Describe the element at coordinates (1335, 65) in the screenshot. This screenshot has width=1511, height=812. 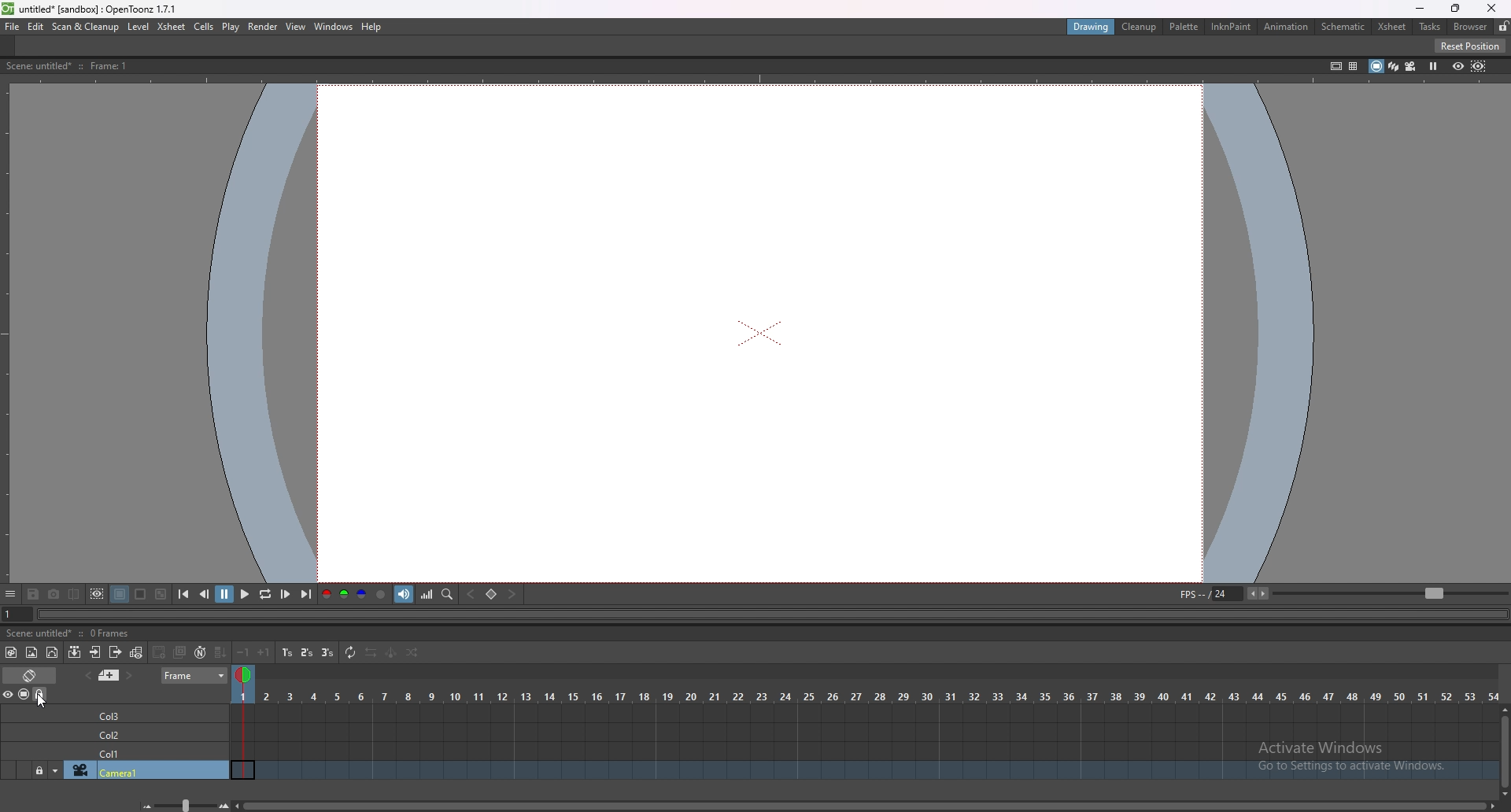
I see `safe area` at that location.